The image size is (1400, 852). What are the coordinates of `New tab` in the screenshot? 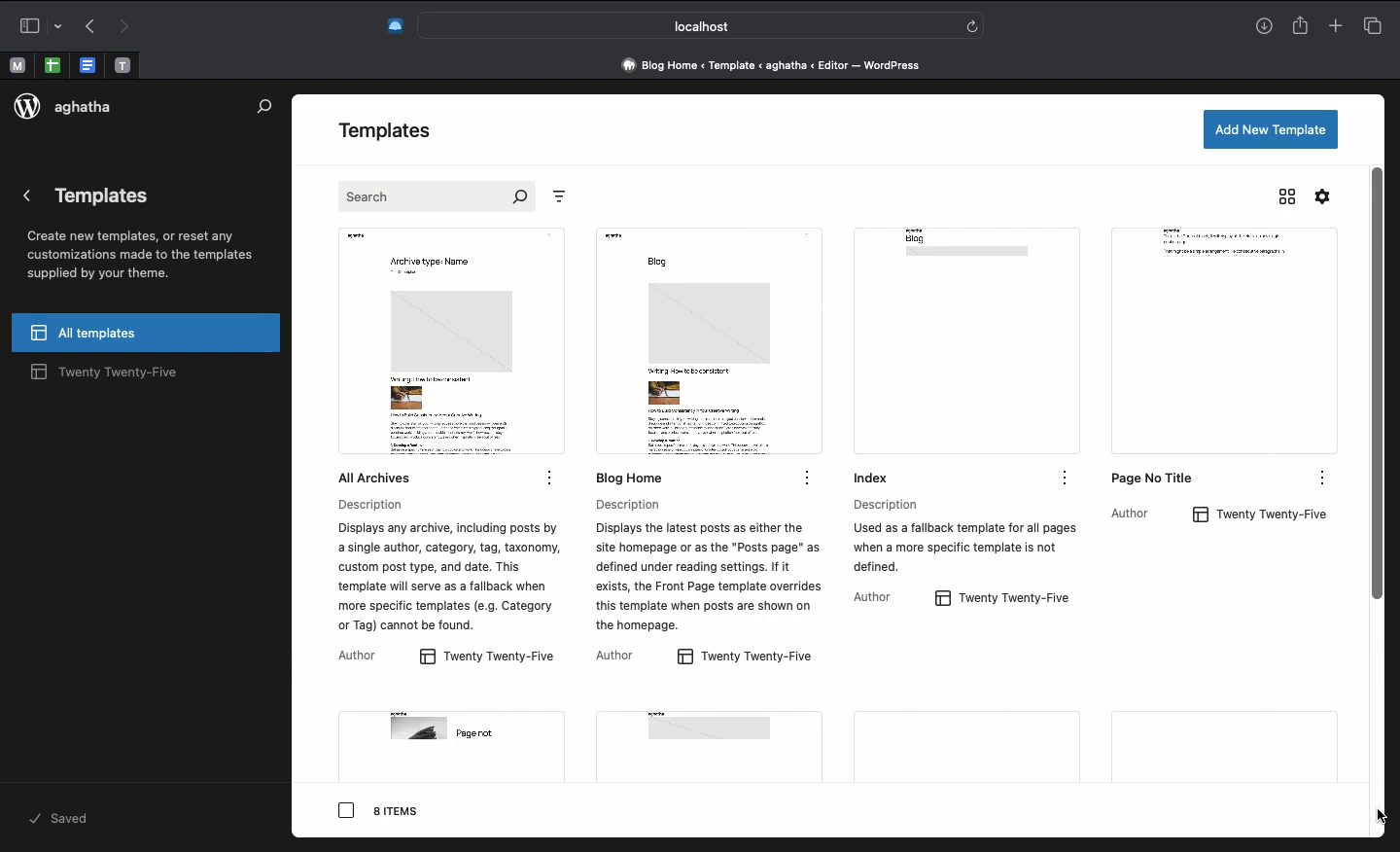 It's located at (1336, 27).